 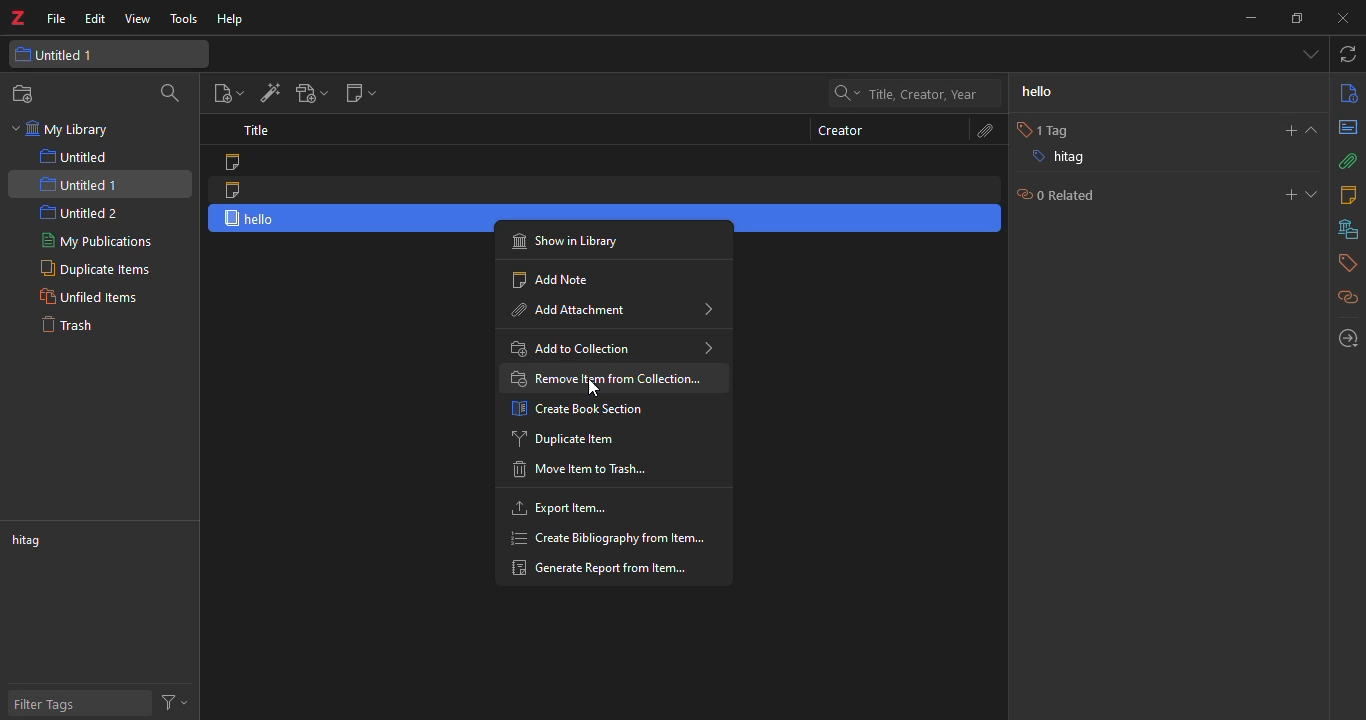 What do you see at coordinates (15, 20) in the screenshot?
I see `z` at bounding box center [15, 20].